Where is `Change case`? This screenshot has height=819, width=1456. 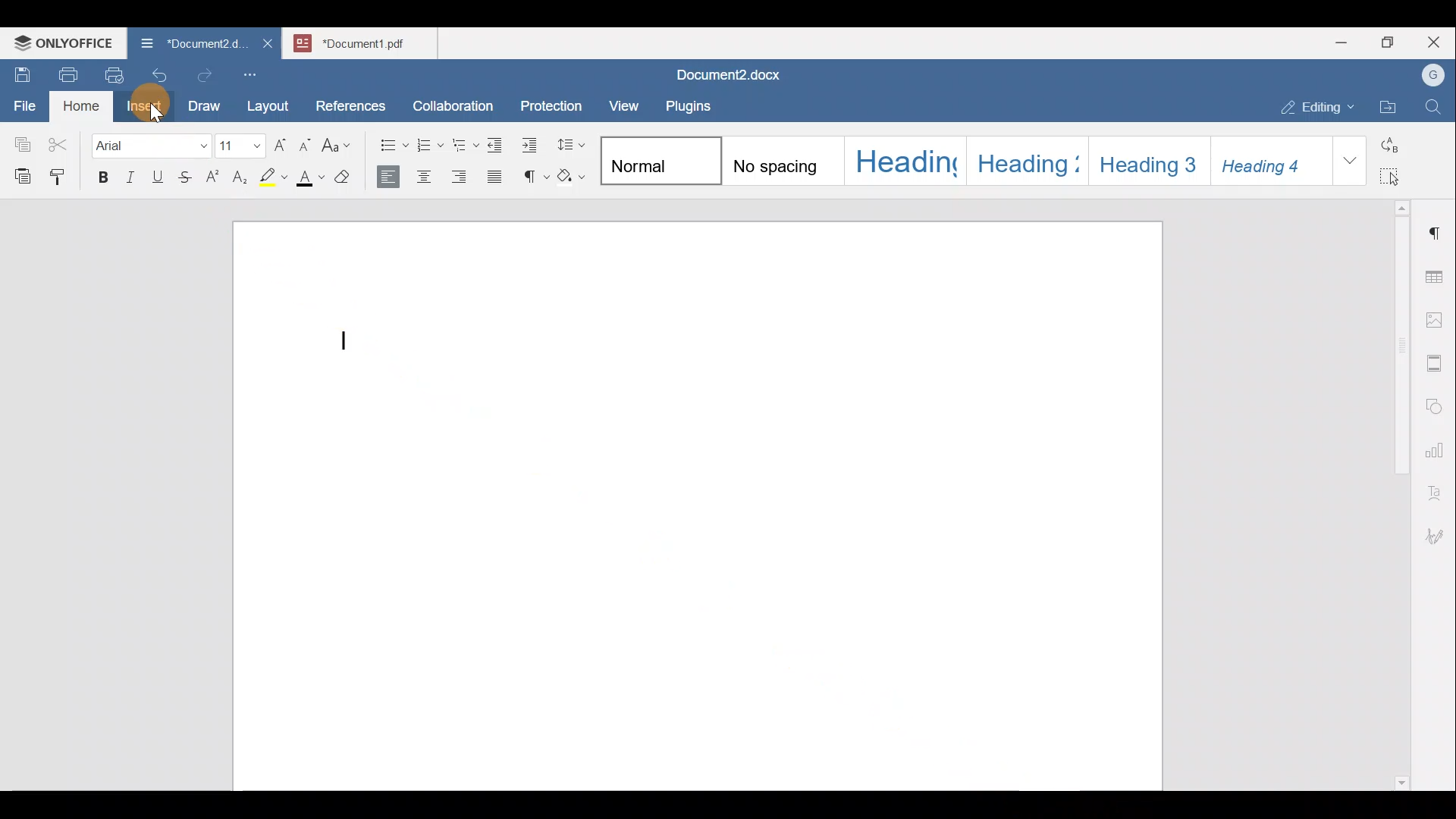 Change case is located at coordinates (337, 142).